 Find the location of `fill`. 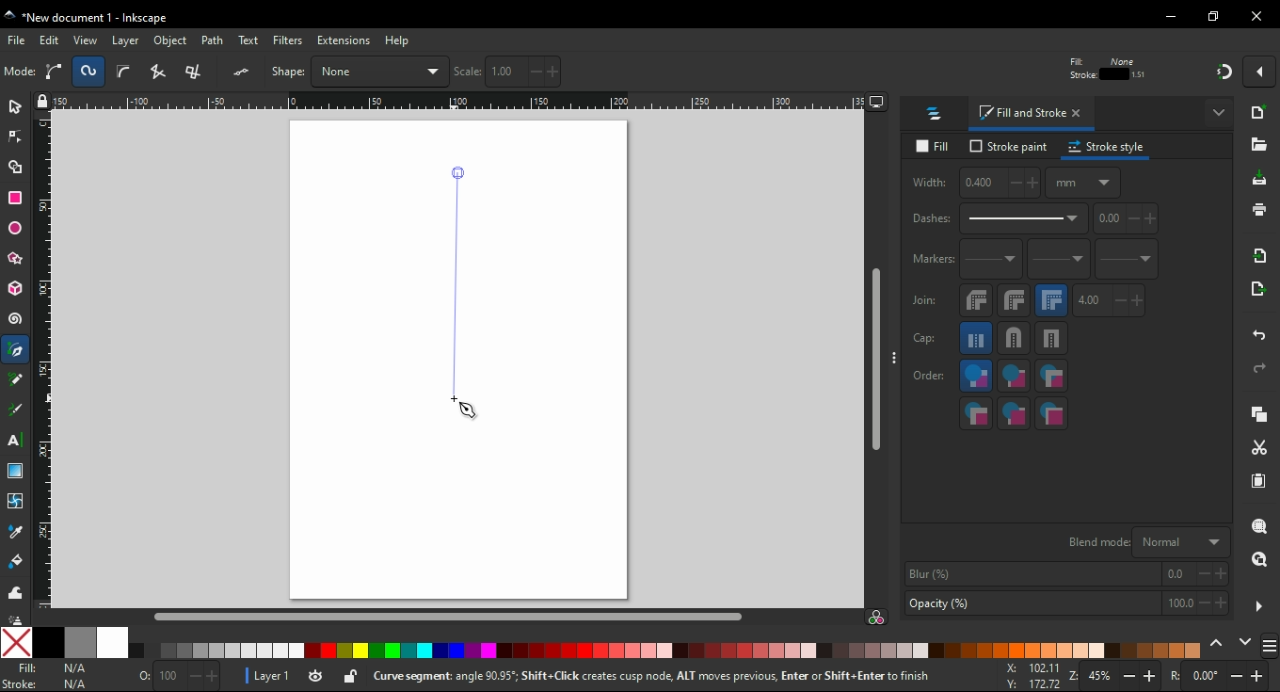

fill is located at coordinates (936, 147).